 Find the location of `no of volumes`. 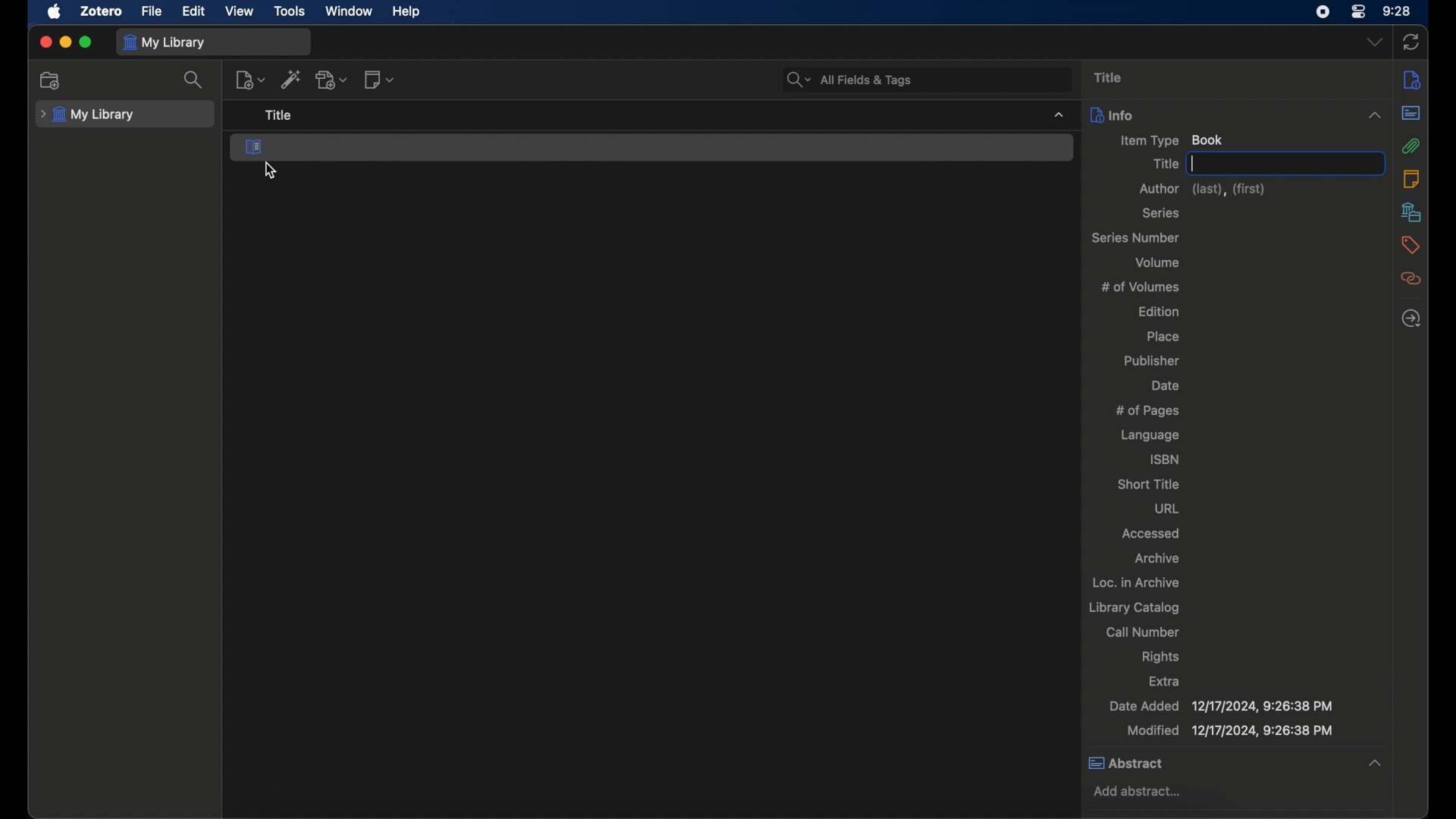

no of volumes is located at coordinates (1143, 287).